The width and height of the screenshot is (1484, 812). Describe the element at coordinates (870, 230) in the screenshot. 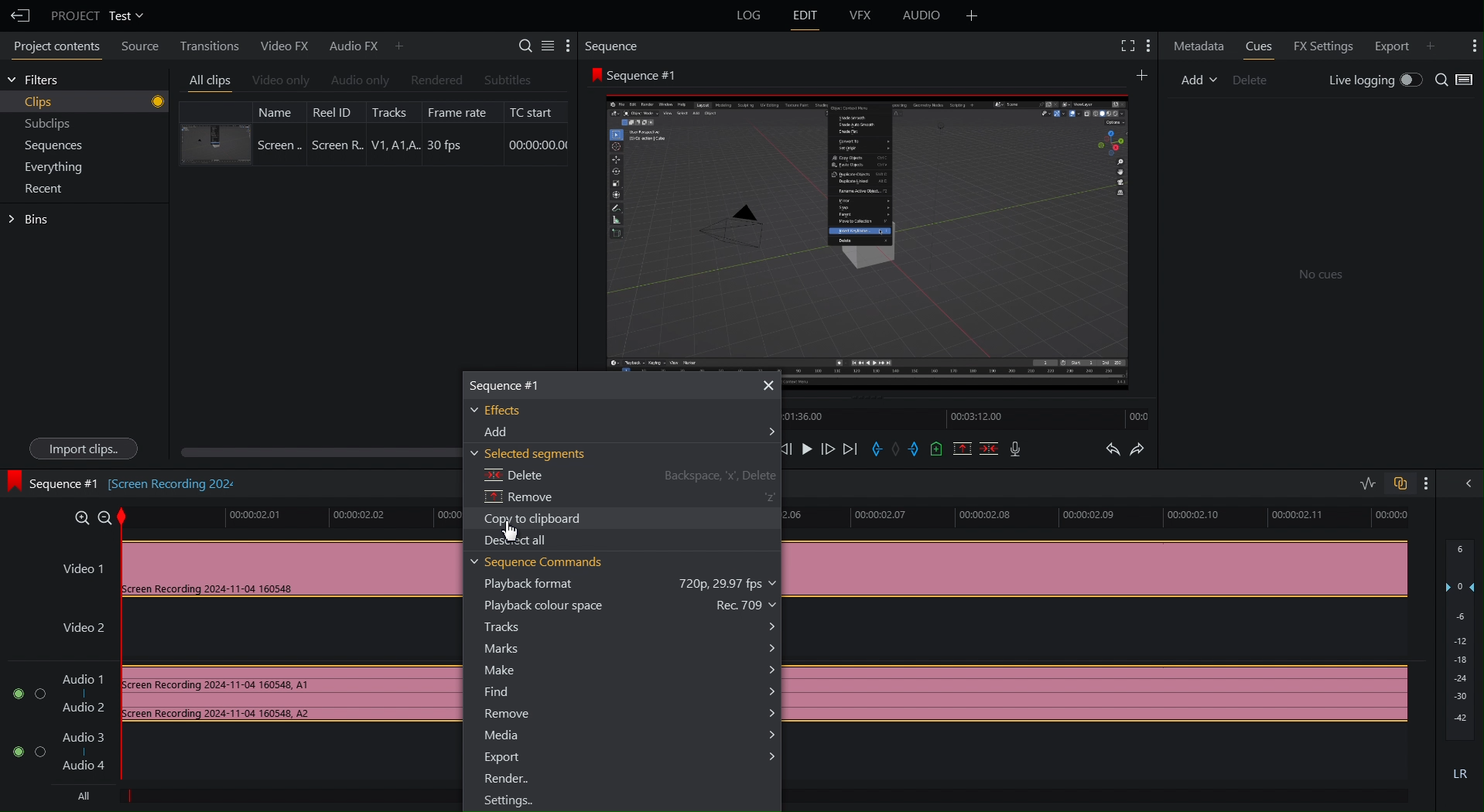

I see `Clip Preview` at that location.